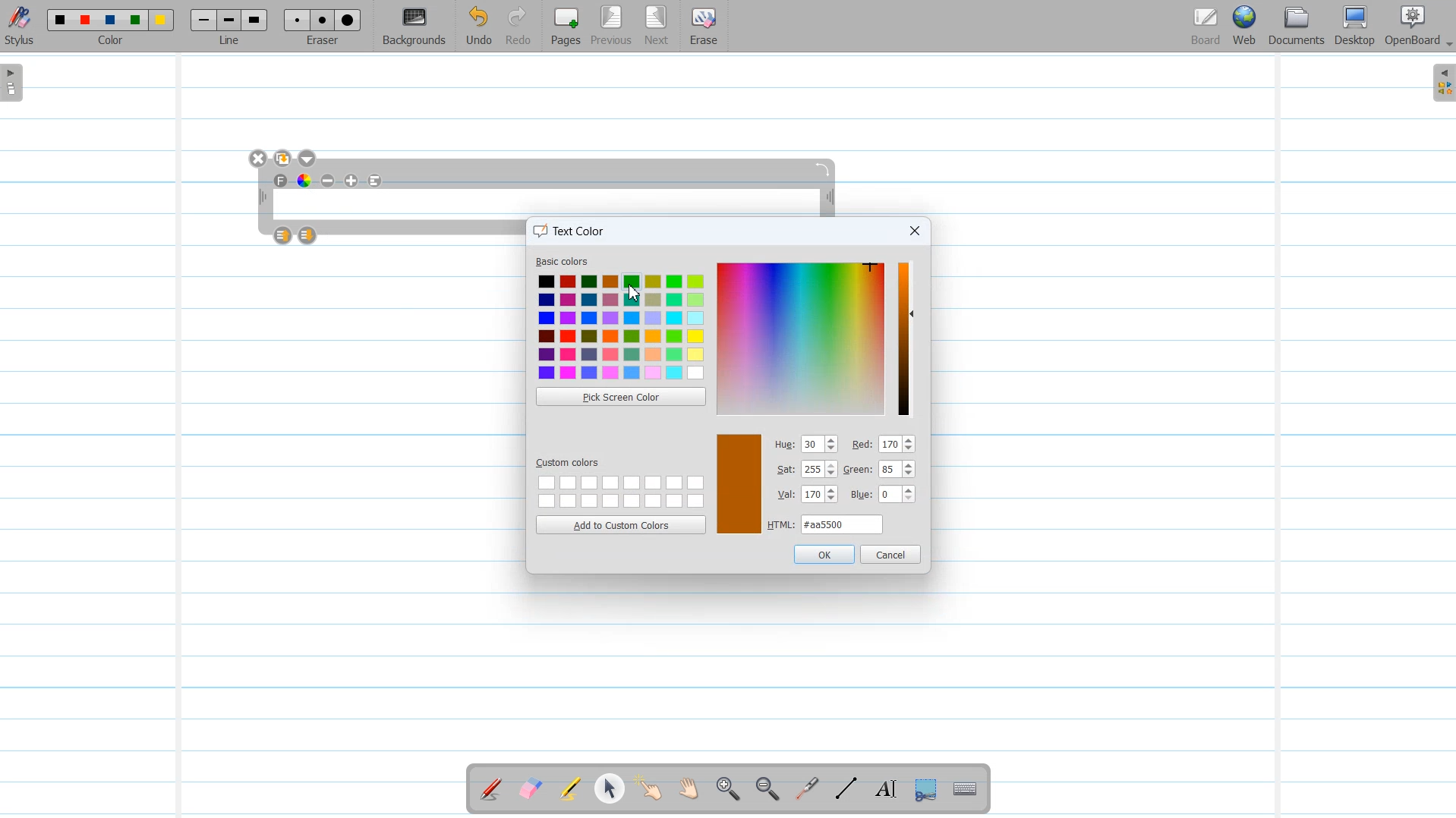  I want to click on Desktop, so click(1354, 27).